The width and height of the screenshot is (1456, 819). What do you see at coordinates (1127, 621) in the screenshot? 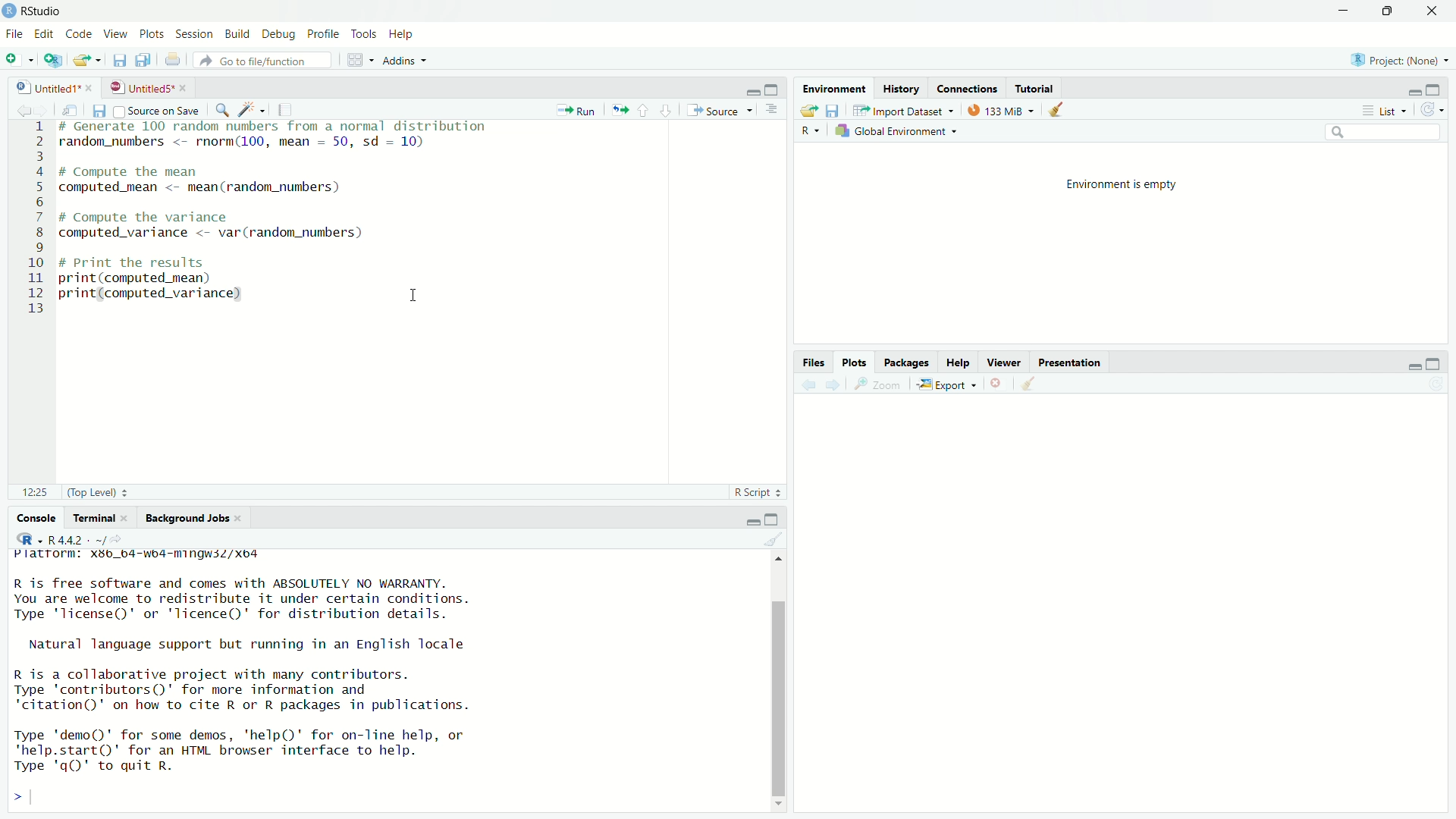
I see `empty plot area` at bounding box center [1127, 621].